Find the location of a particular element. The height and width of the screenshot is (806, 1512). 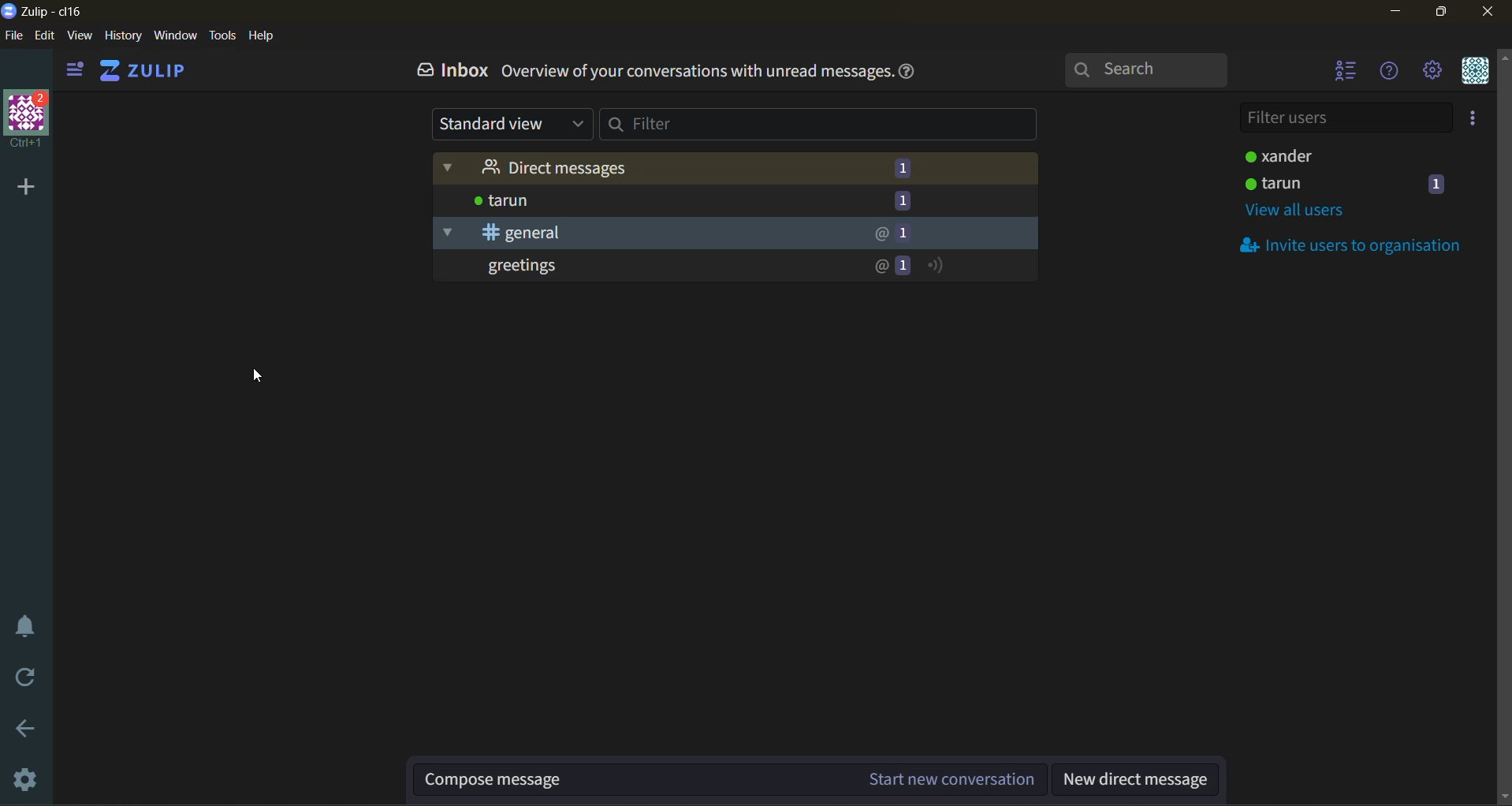

greetings is located at coordinates (736, 267).